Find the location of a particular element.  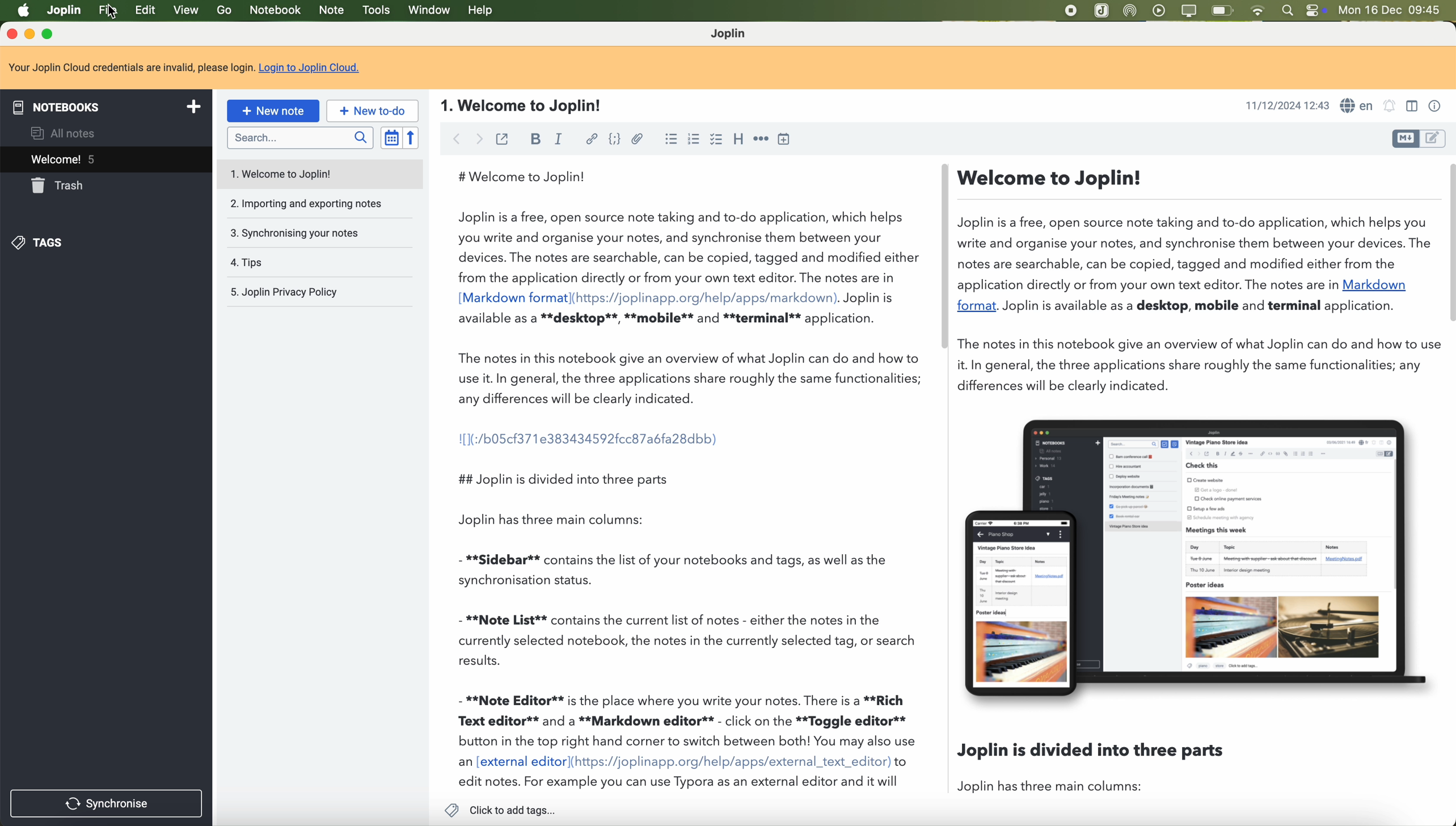

help is located at coordinates (482, 11).